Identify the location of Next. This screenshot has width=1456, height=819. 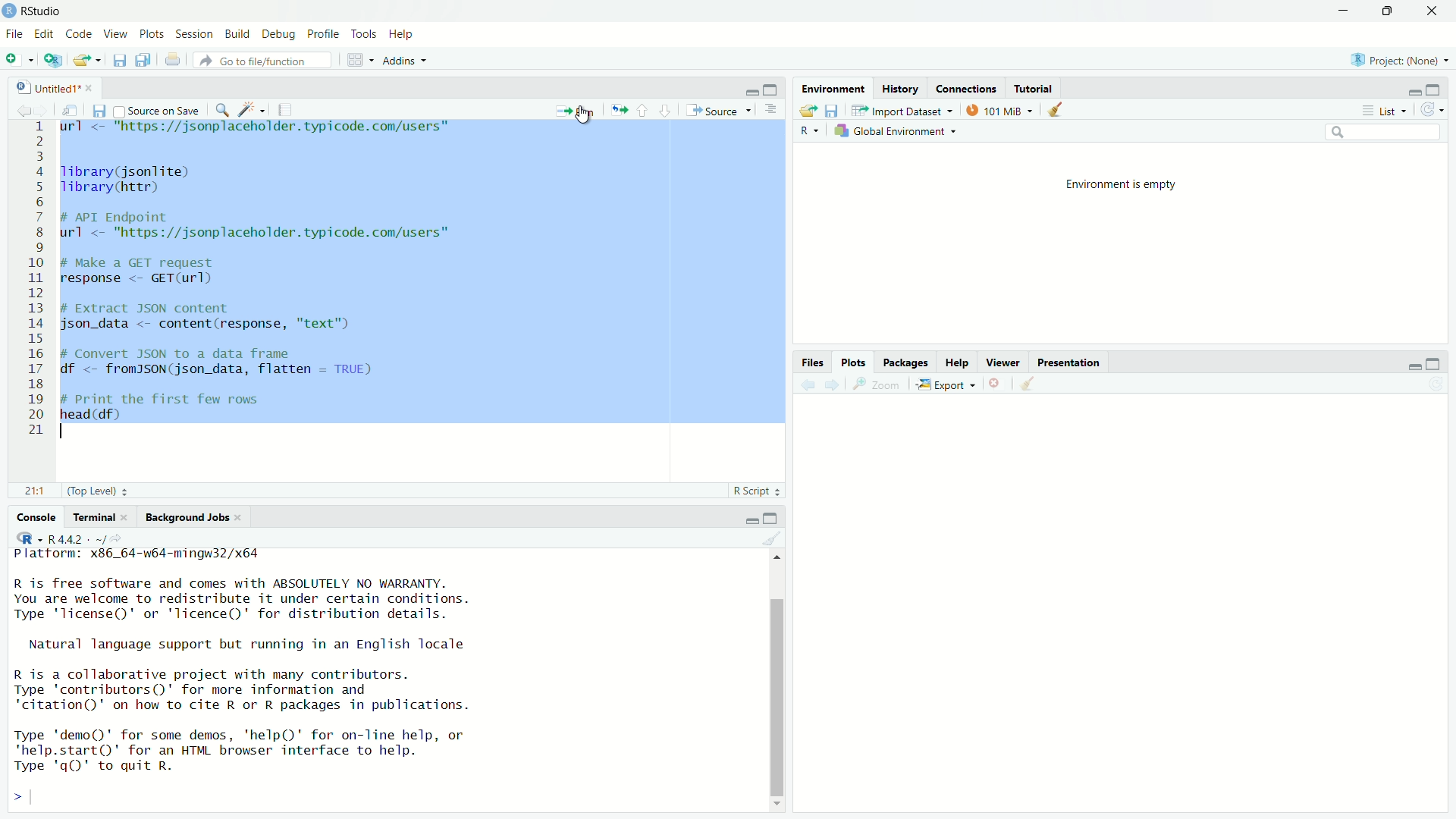
(834, 386).